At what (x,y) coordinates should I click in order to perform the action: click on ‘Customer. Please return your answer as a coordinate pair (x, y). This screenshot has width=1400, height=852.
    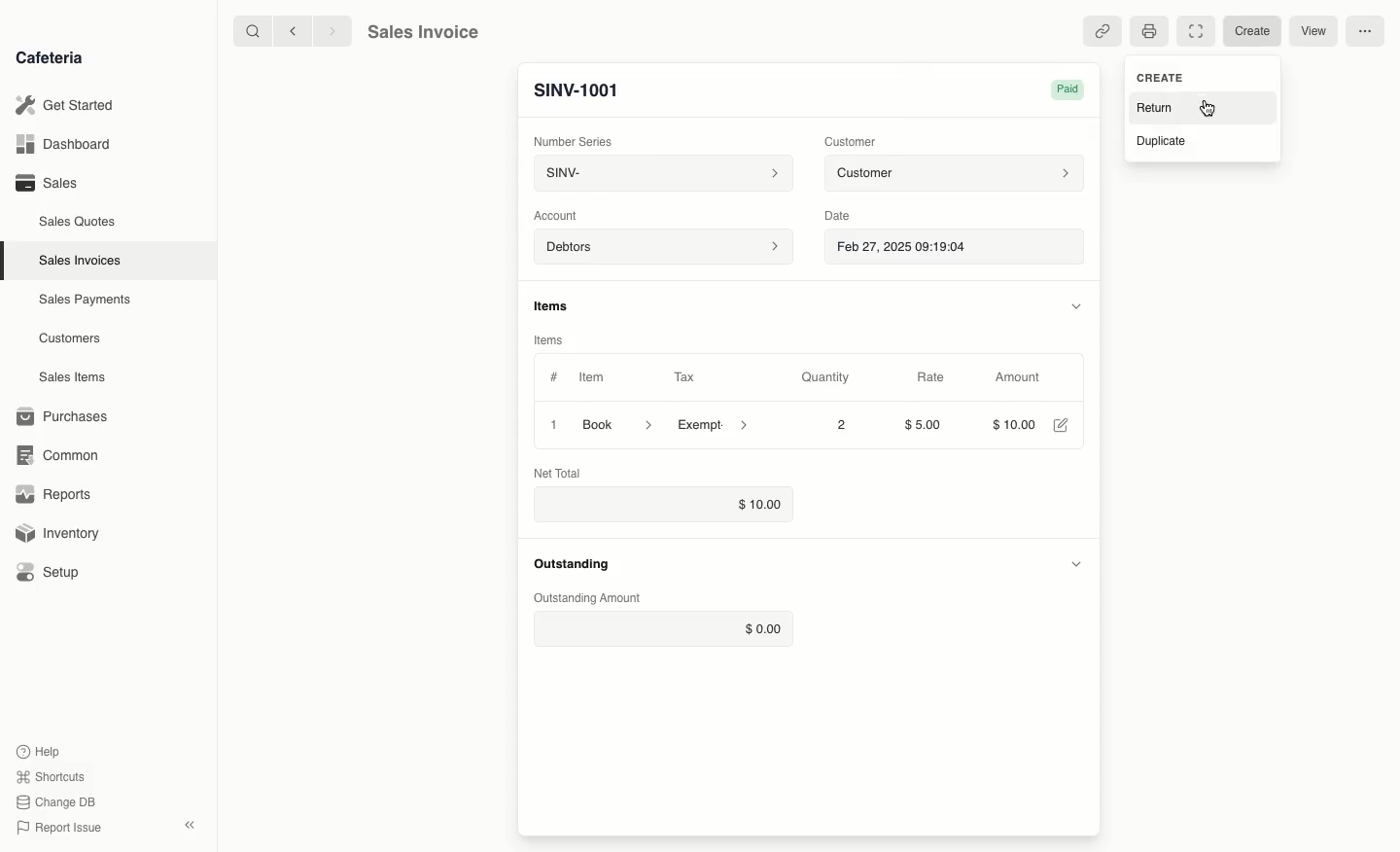
    Looking at the image, I should click on (850, 142).